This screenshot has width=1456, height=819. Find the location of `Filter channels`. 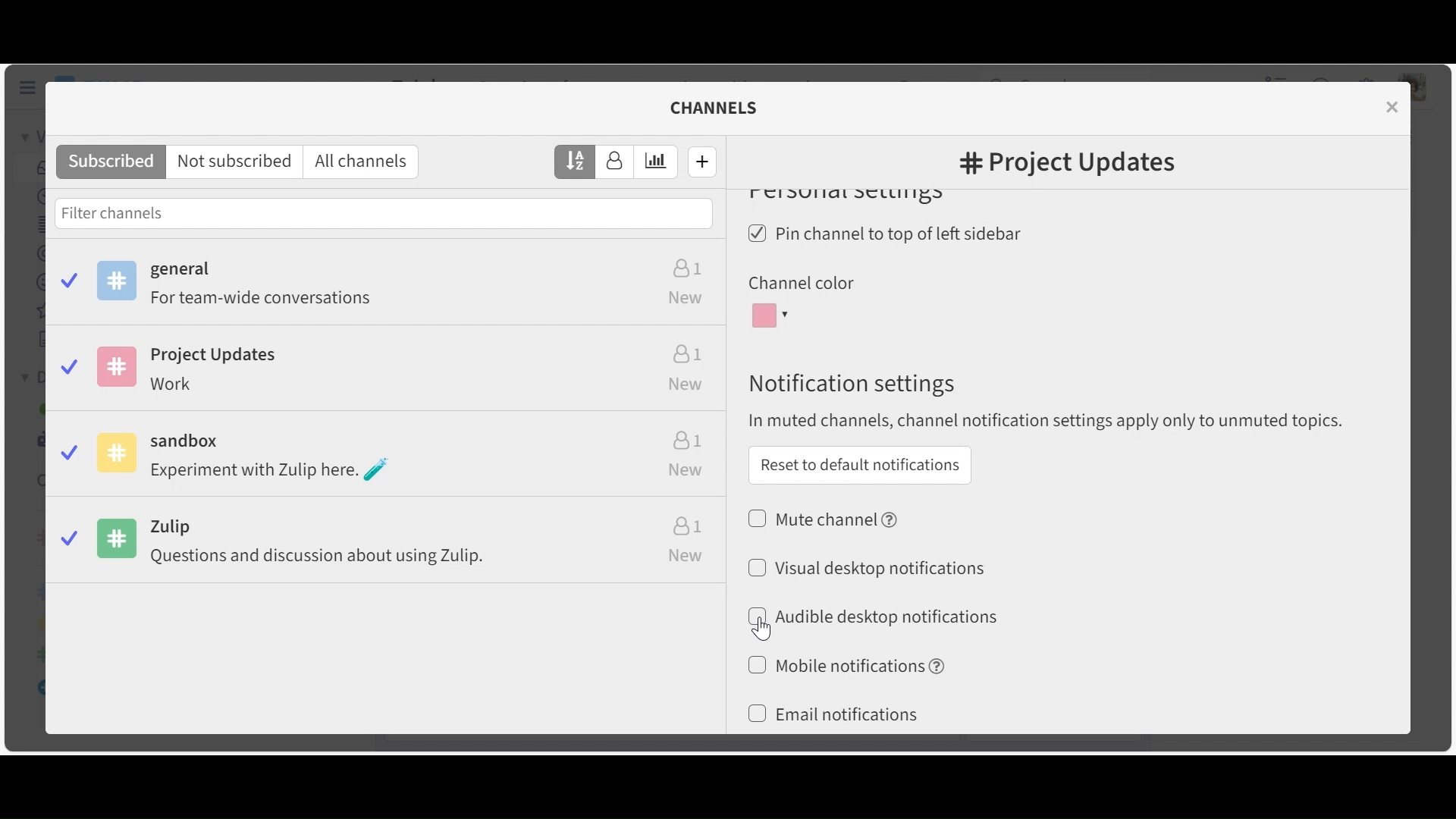

Filter channels is located at coordinates (384, 212).